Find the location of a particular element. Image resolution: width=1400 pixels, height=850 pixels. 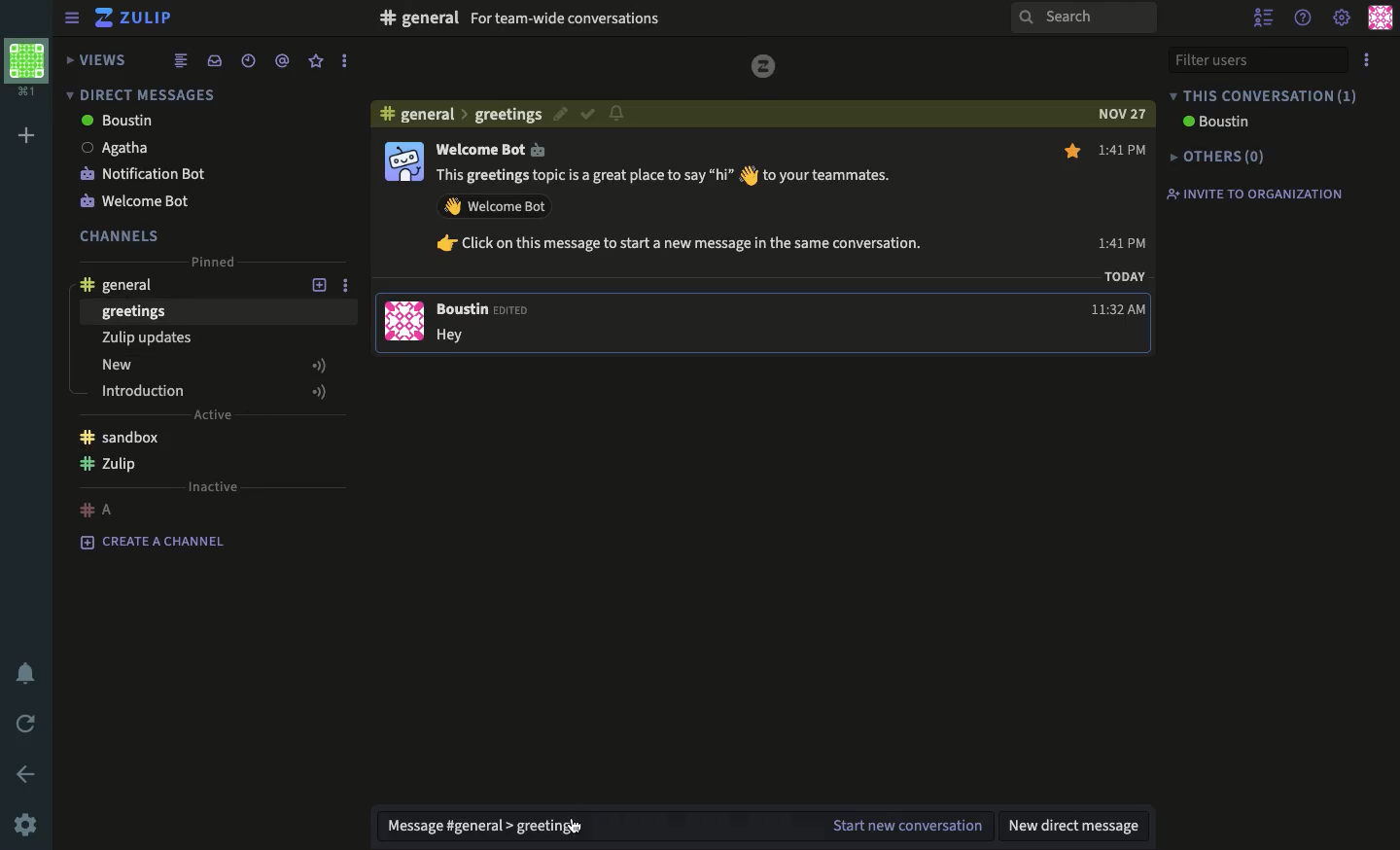

add new topic is located at coordinates (320, 287).